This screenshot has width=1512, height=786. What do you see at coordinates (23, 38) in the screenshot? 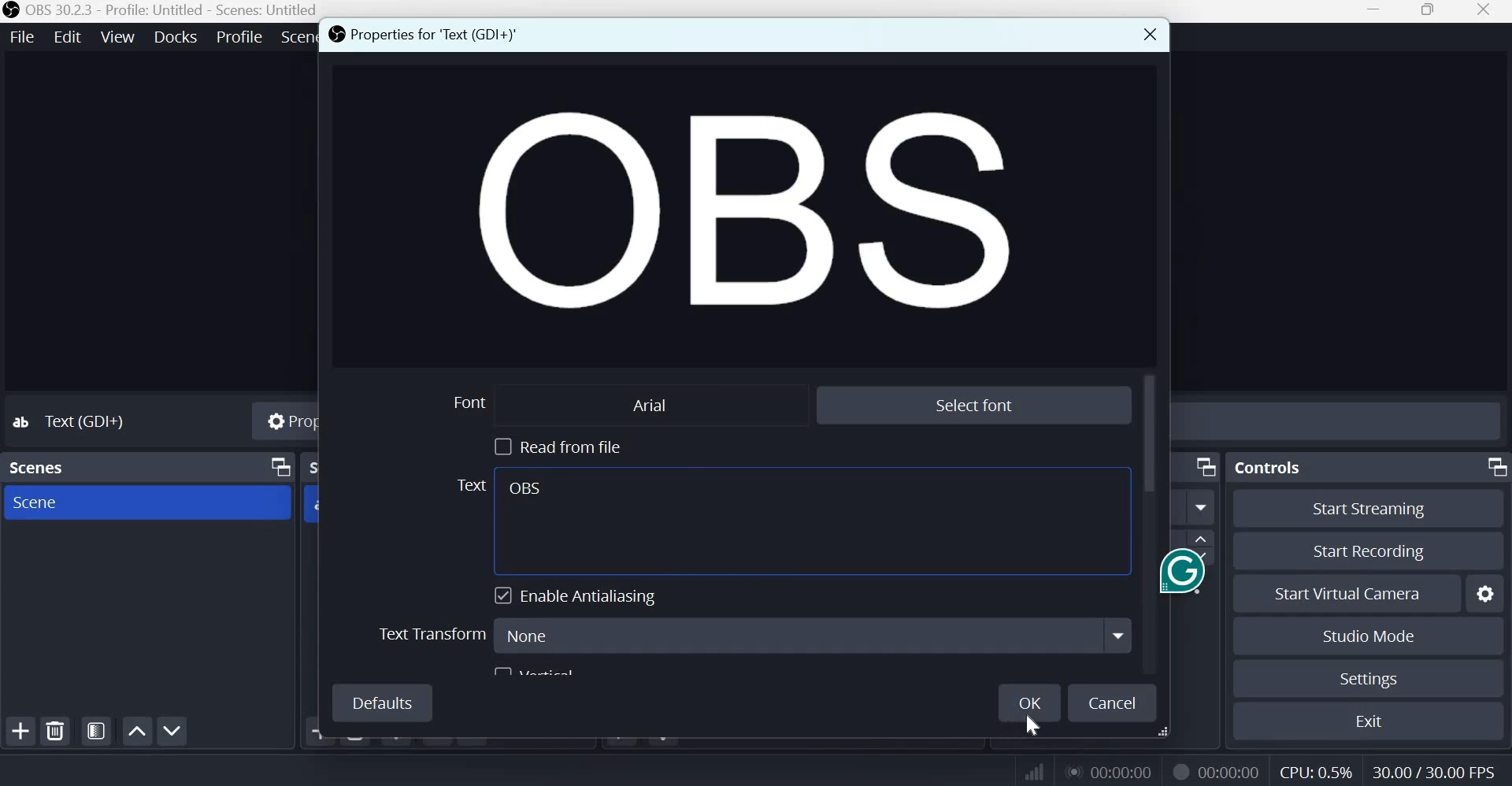
I see `File` at bounding box center [23, 38].